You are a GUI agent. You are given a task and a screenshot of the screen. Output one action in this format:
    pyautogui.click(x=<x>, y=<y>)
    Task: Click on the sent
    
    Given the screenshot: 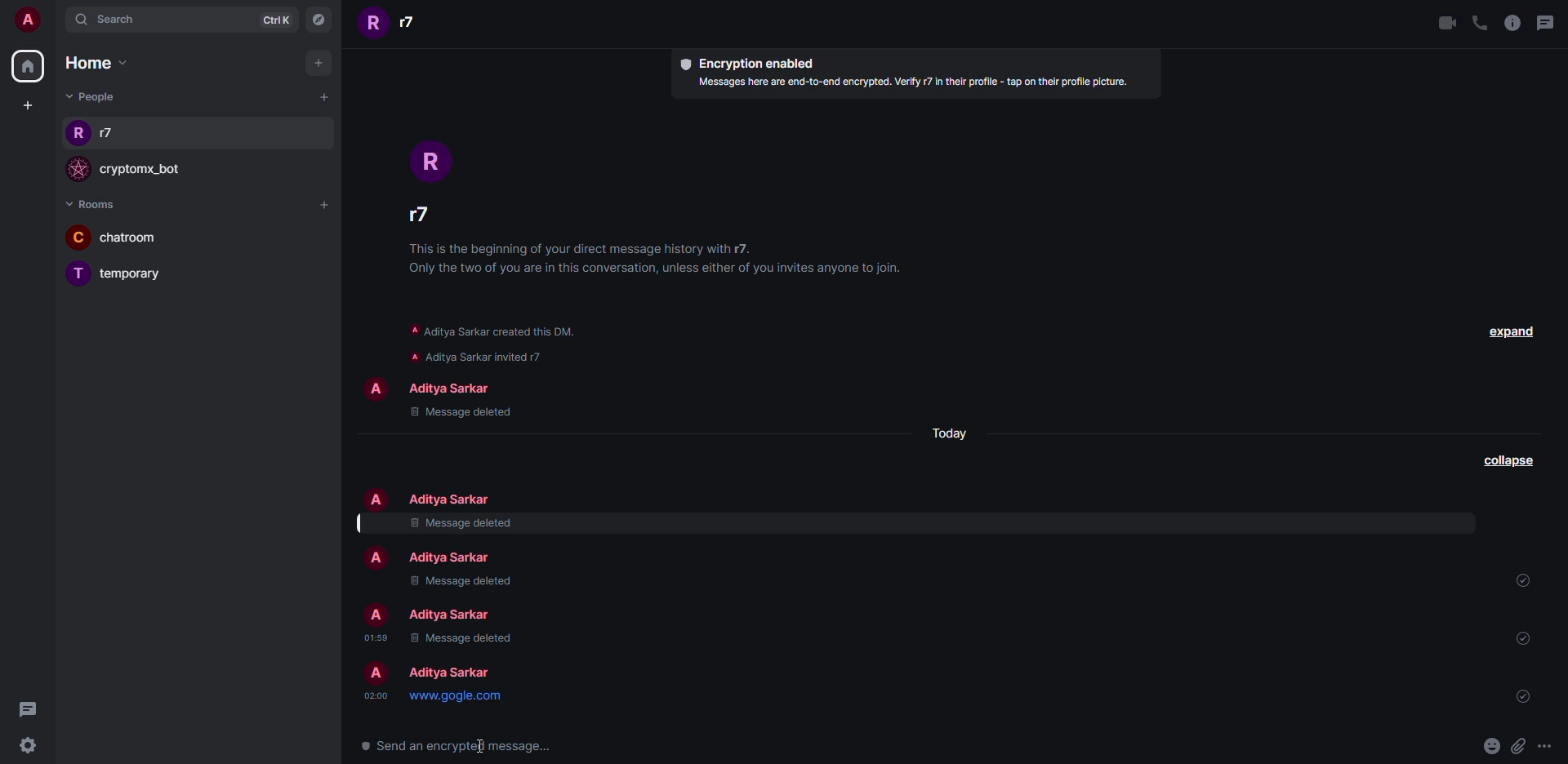 What is the action you would take?
    pyautogui.click(x=1521, y=694)
    